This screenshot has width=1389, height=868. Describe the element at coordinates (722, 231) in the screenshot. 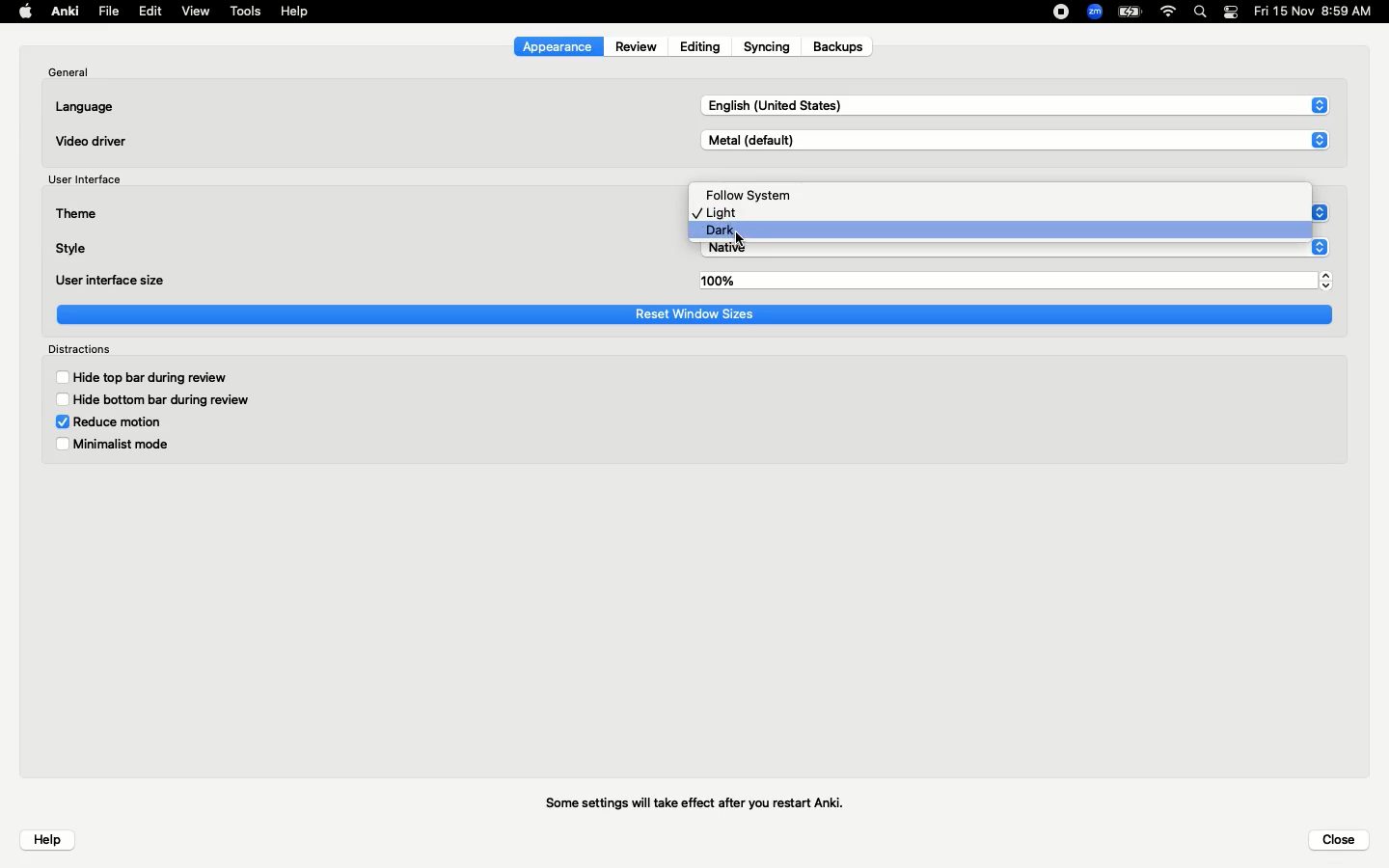

I see `Dark` at that location.